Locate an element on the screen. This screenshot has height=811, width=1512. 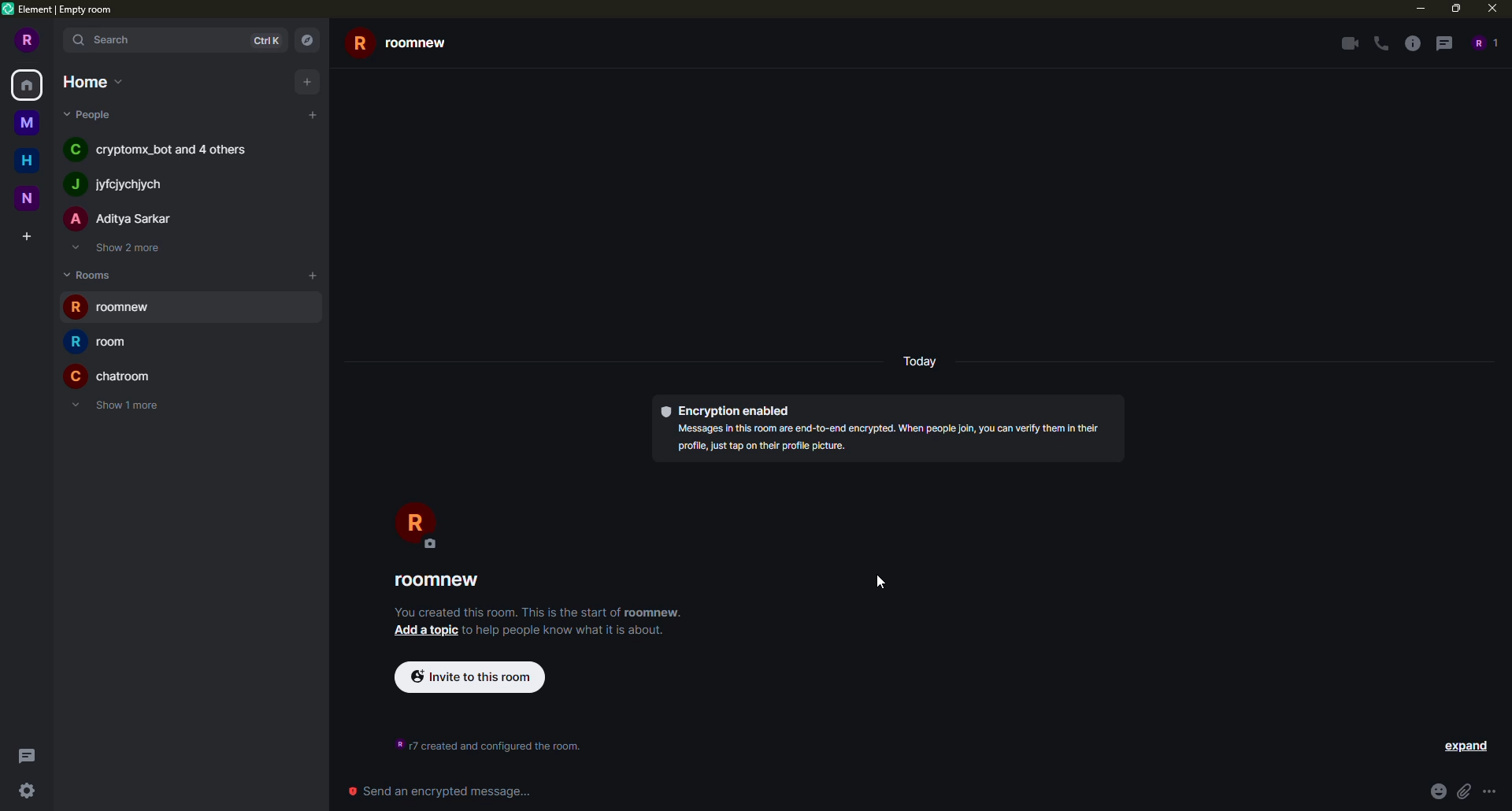
room is located at coordinates (139, 376).